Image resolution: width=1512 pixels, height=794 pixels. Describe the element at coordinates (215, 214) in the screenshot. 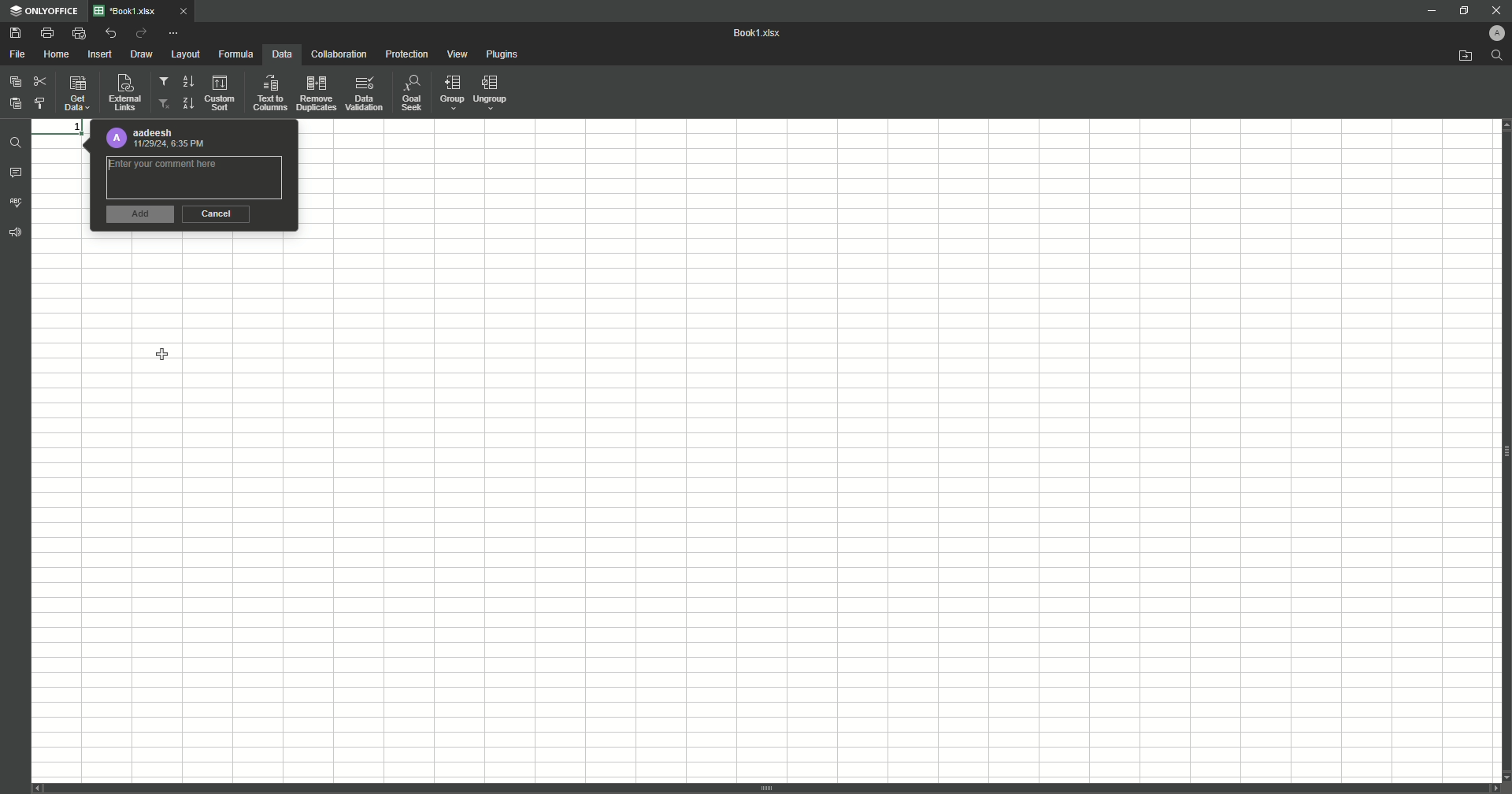

I see `Cancel` at that location.